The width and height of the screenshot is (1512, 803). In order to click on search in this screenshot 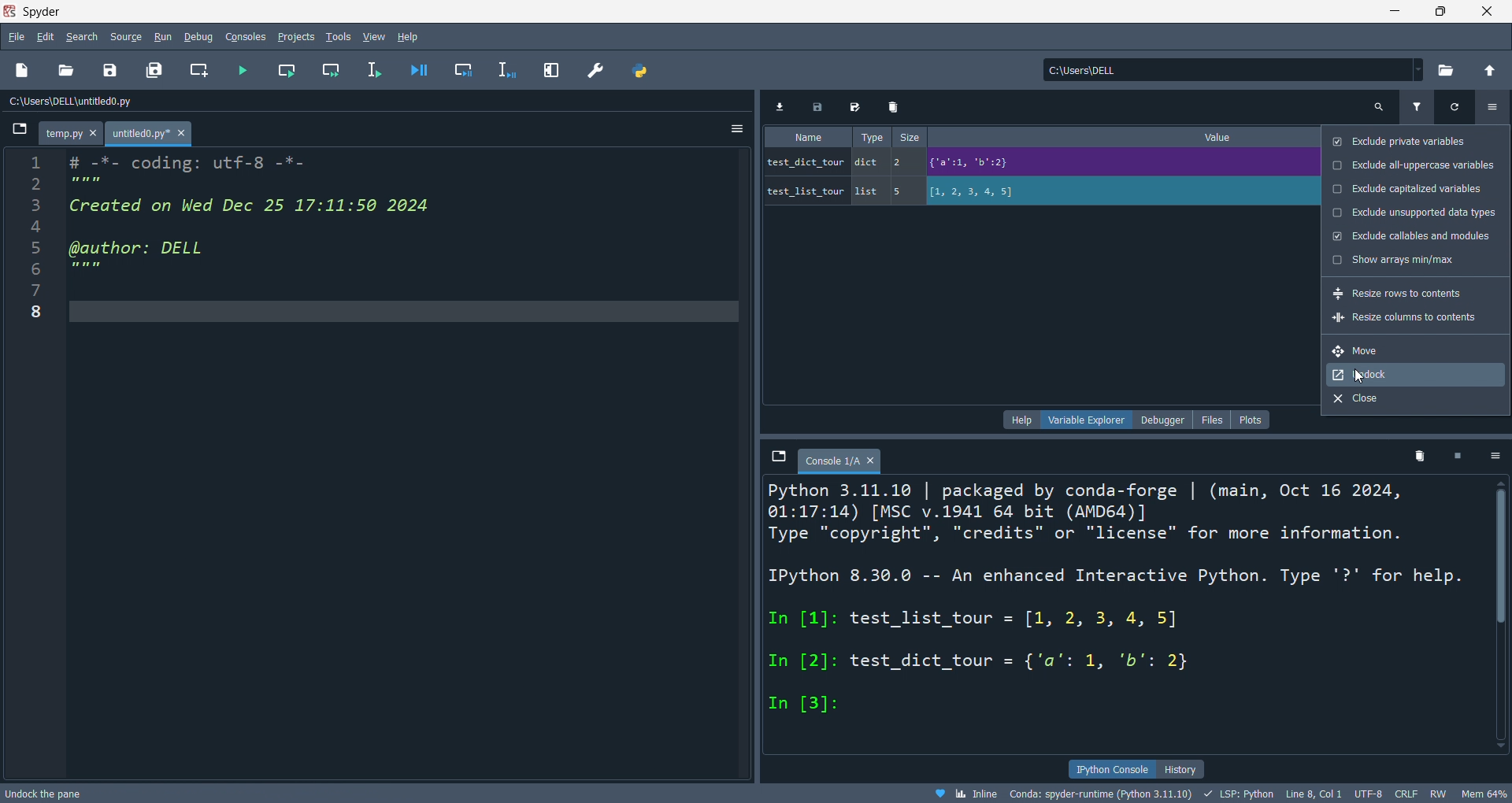, I will do `click(80, 37)`.